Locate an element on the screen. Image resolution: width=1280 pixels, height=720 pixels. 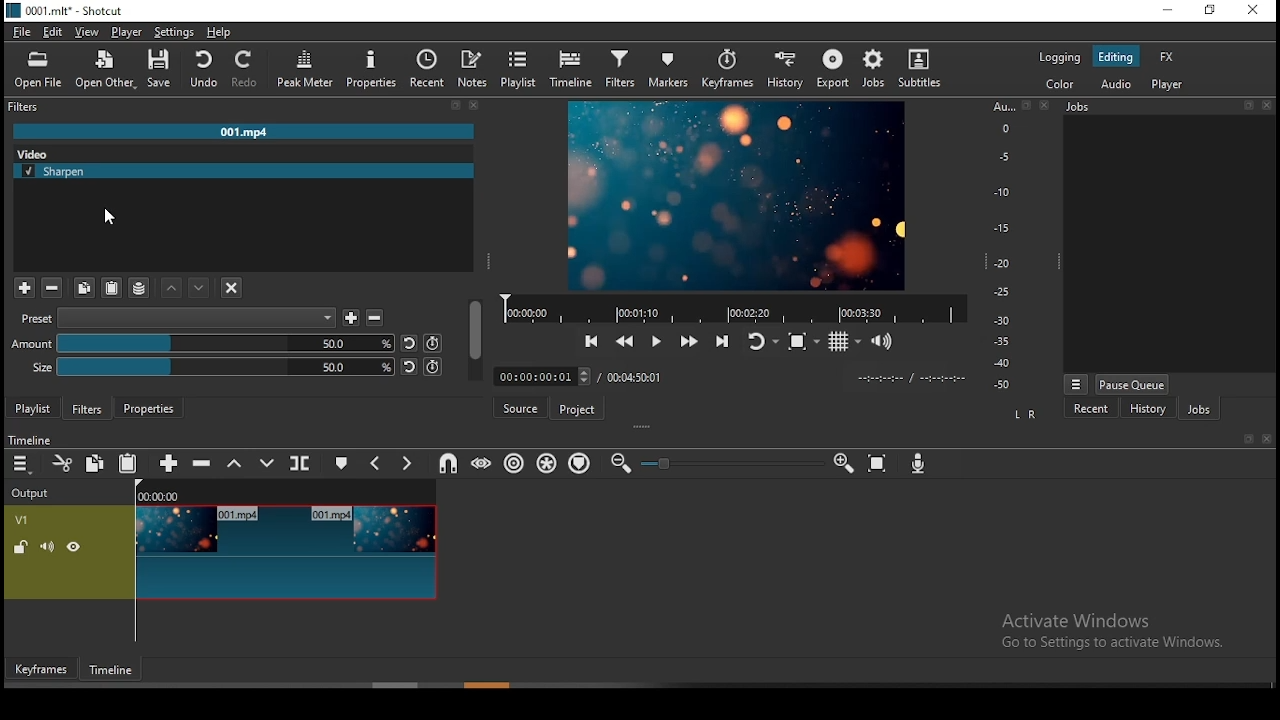
move filter up is located at coordinates (170, 287).